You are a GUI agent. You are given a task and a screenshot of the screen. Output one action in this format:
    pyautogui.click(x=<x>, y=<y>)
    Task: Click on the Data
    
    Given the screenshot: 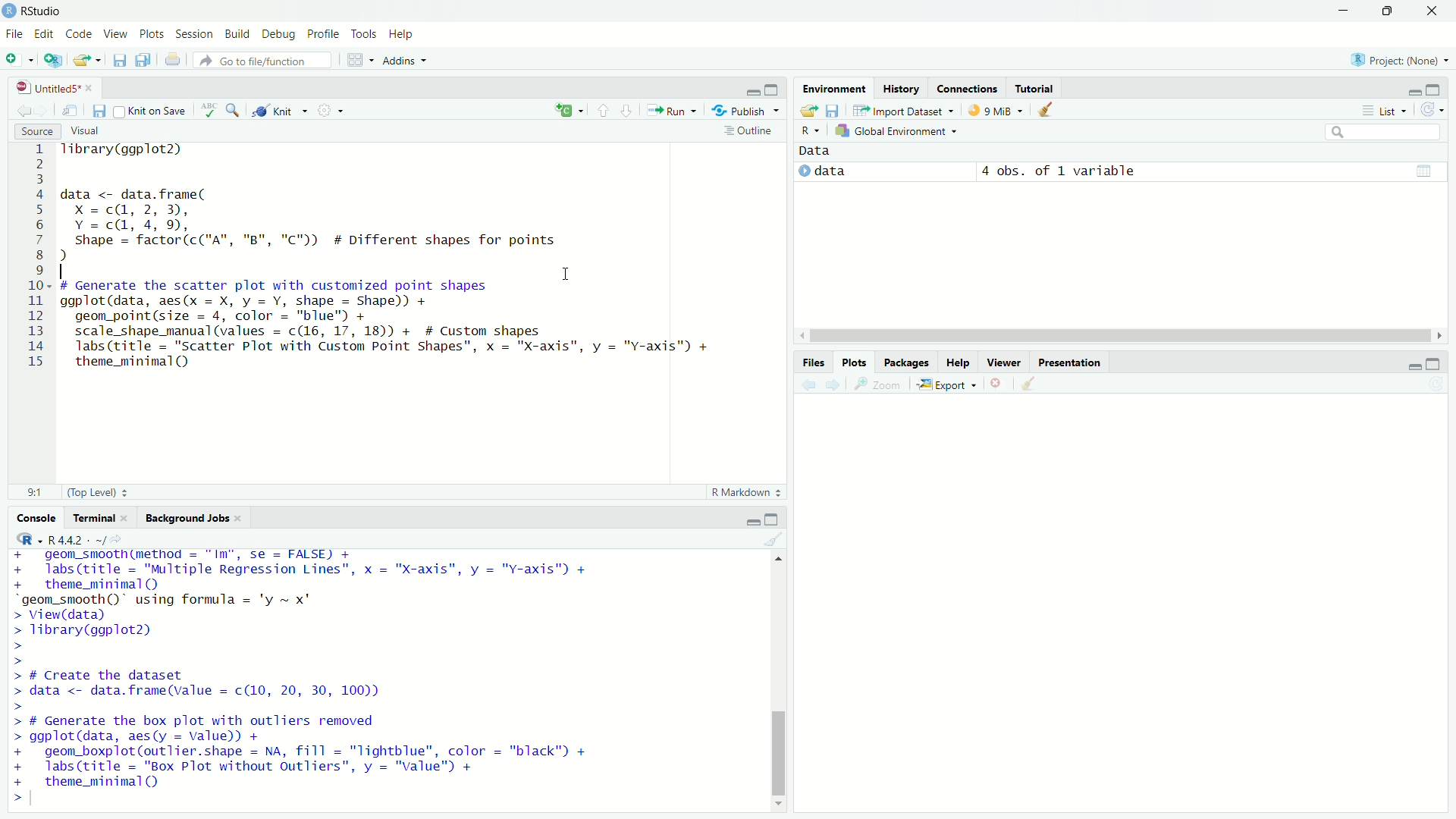 What is the action you would take?
    pyautogui.click(x=815, y=151)
    